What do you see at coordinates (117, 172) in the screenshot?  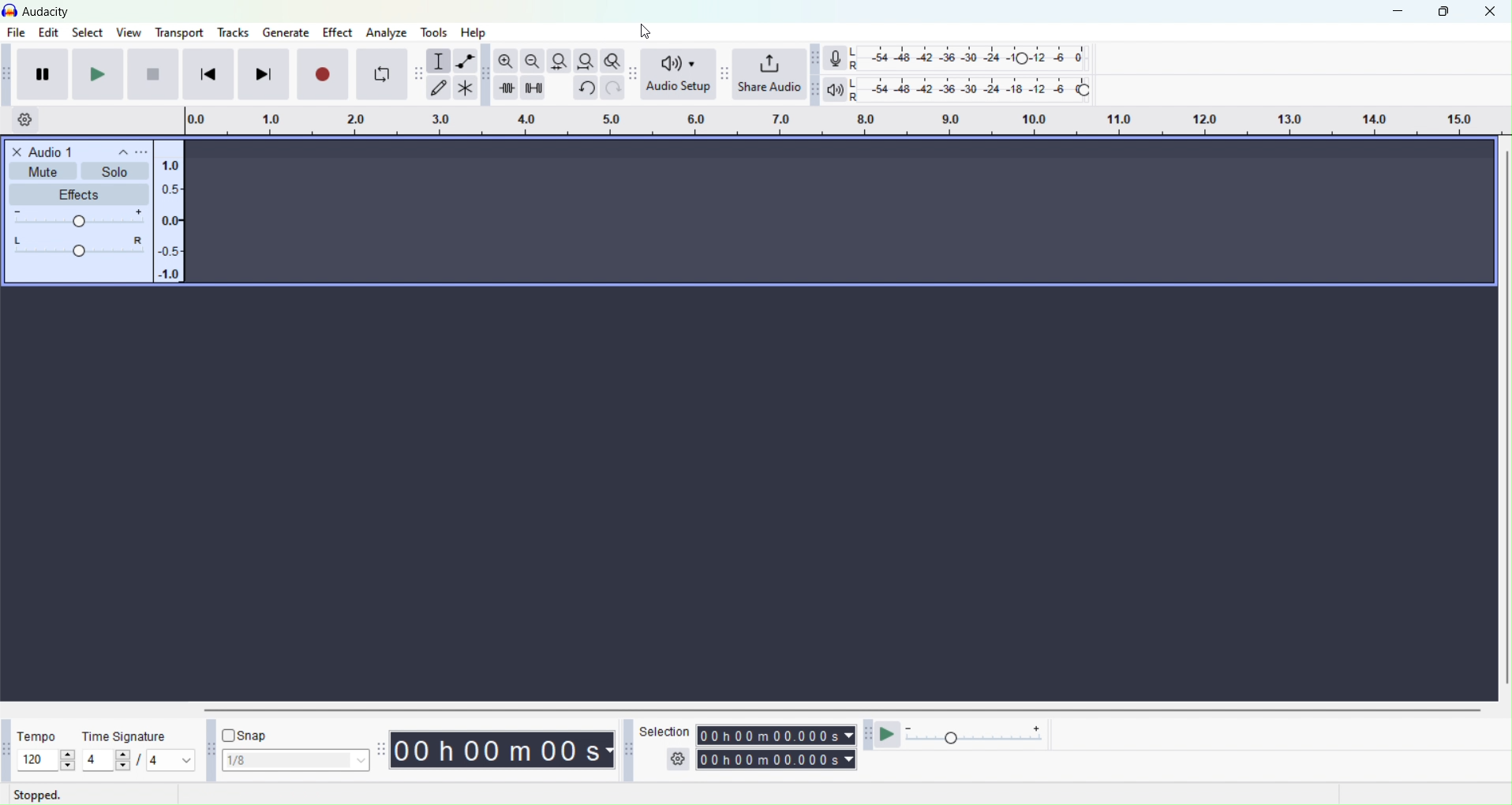 I see `solo` at bounding box center [117, 172].